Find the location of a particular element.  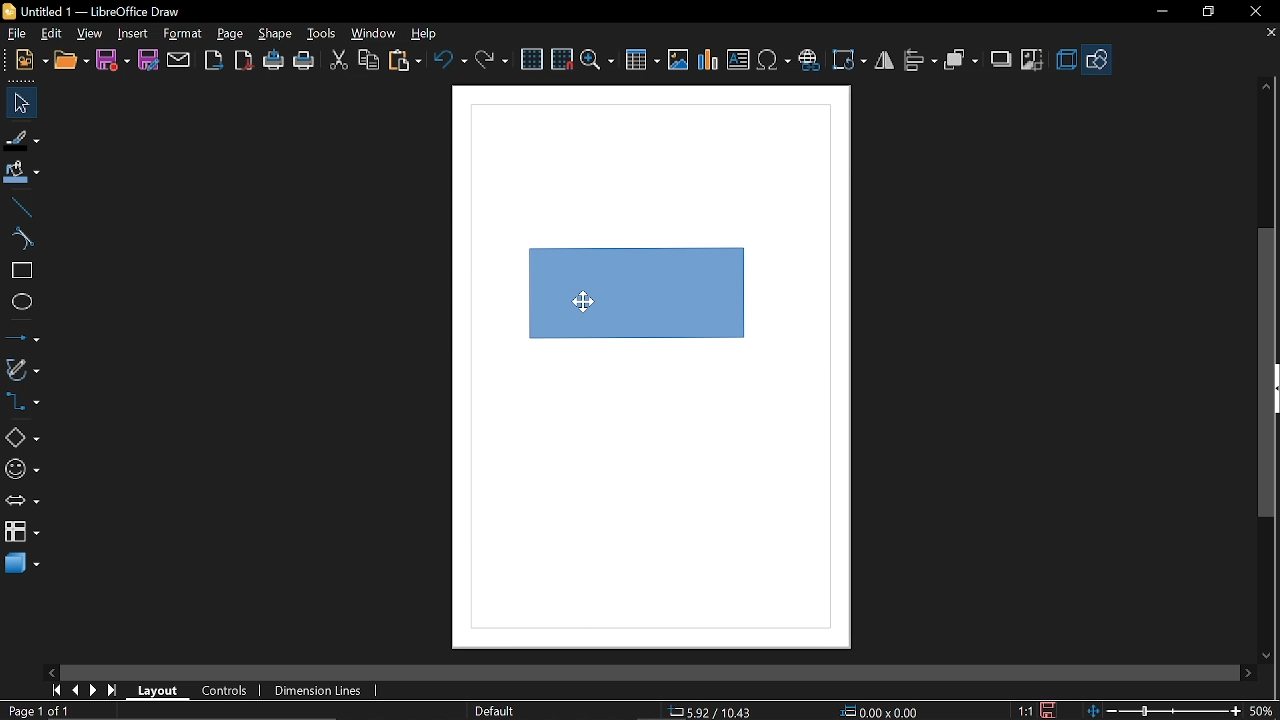

Untitled 1 - LibreOffice Draw is located at coordinates (91, 10).